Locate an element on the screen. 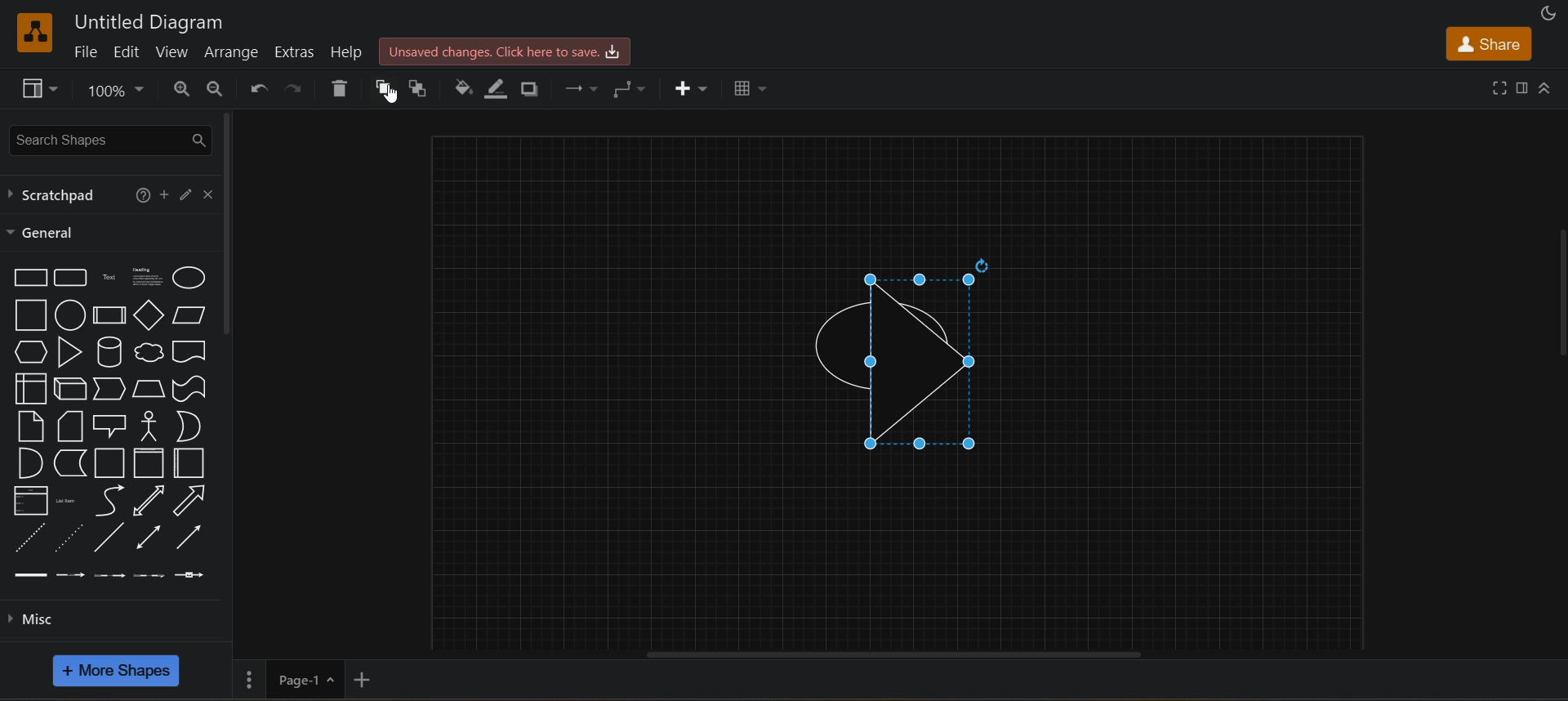  more shapes is located at coordinates (118, 671).